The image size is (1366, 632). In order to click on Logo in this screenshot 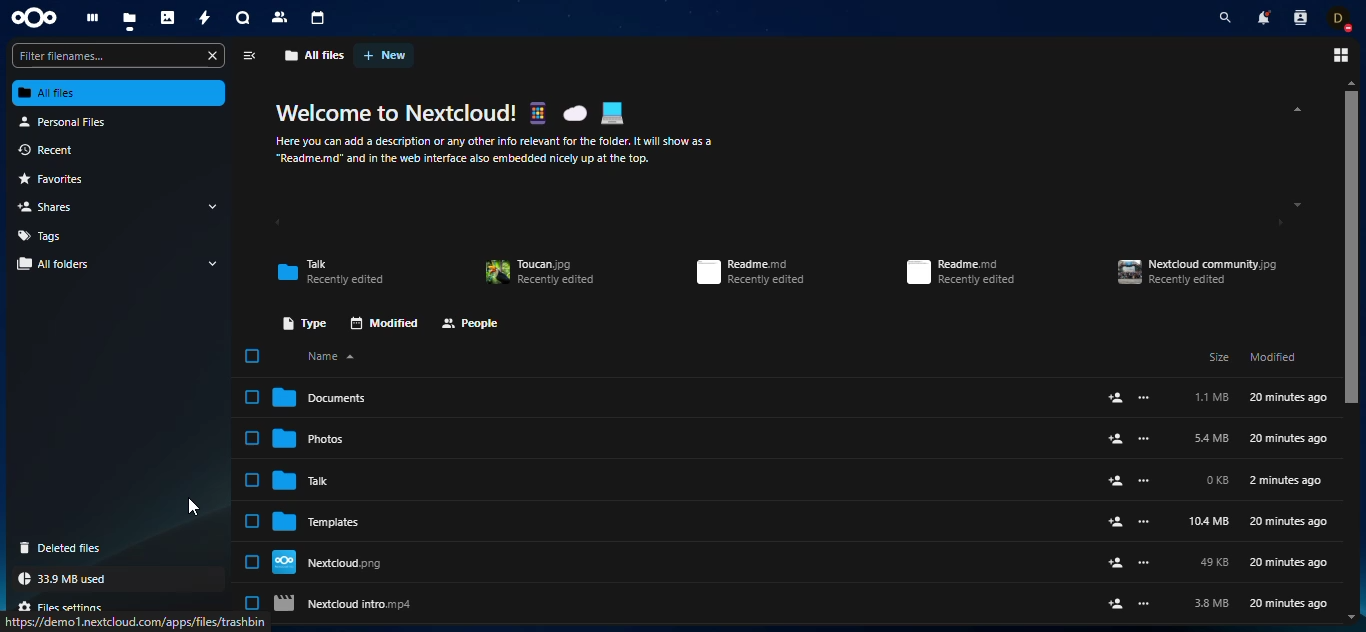, I will do `click(36, 17)`.